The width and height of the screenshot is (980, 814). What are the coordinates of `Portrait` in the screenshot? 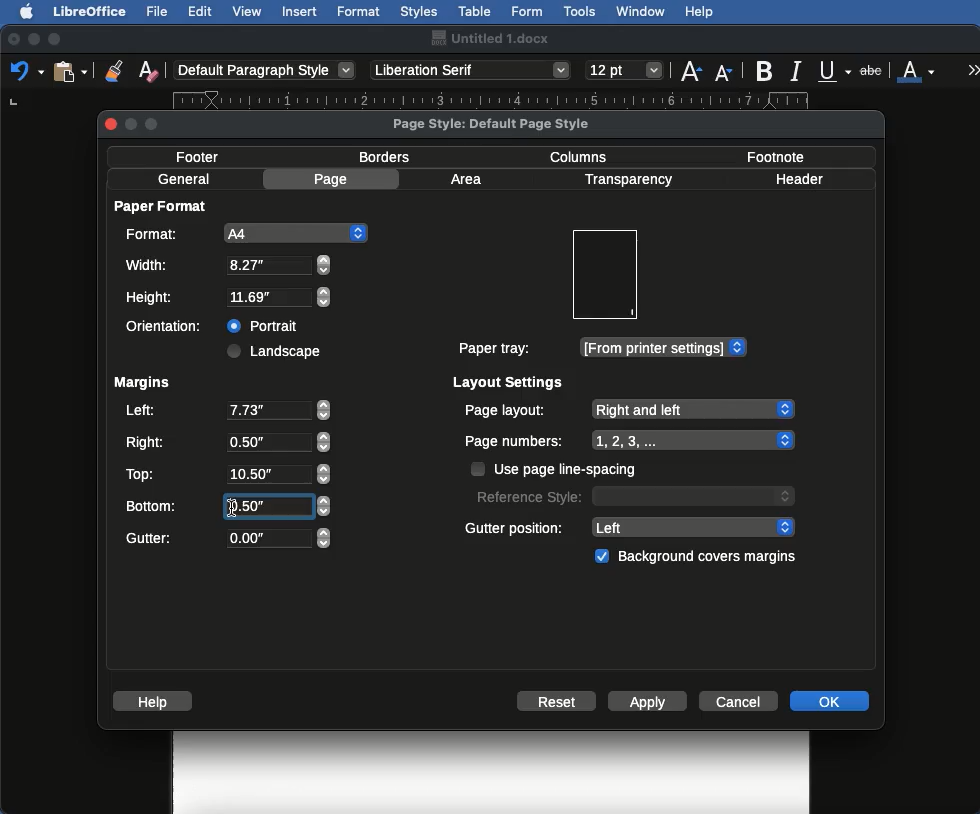 It's located at (265, 323).